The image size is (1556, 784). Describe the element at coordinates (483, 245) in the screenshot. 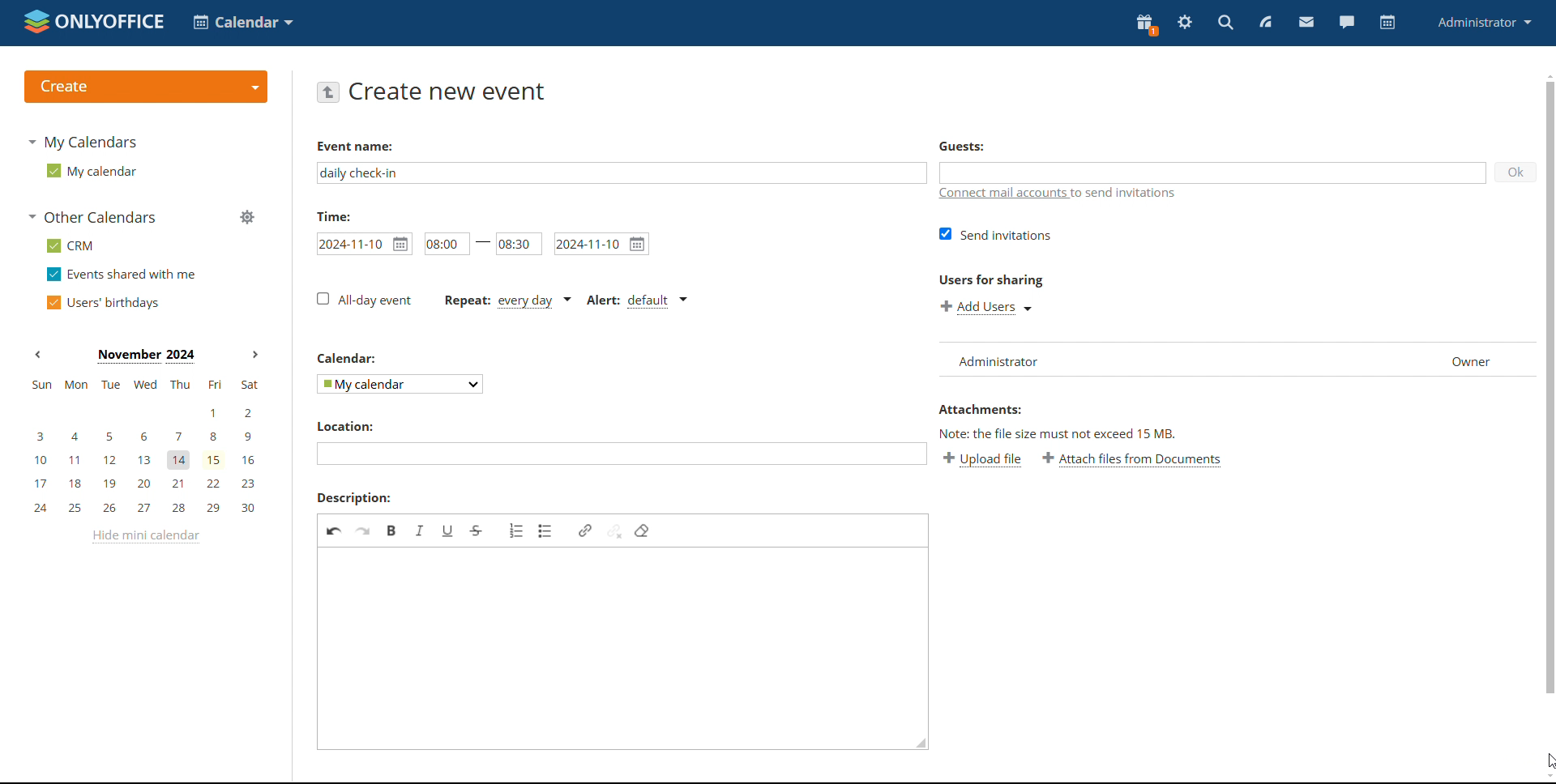

I see `-` at that location.